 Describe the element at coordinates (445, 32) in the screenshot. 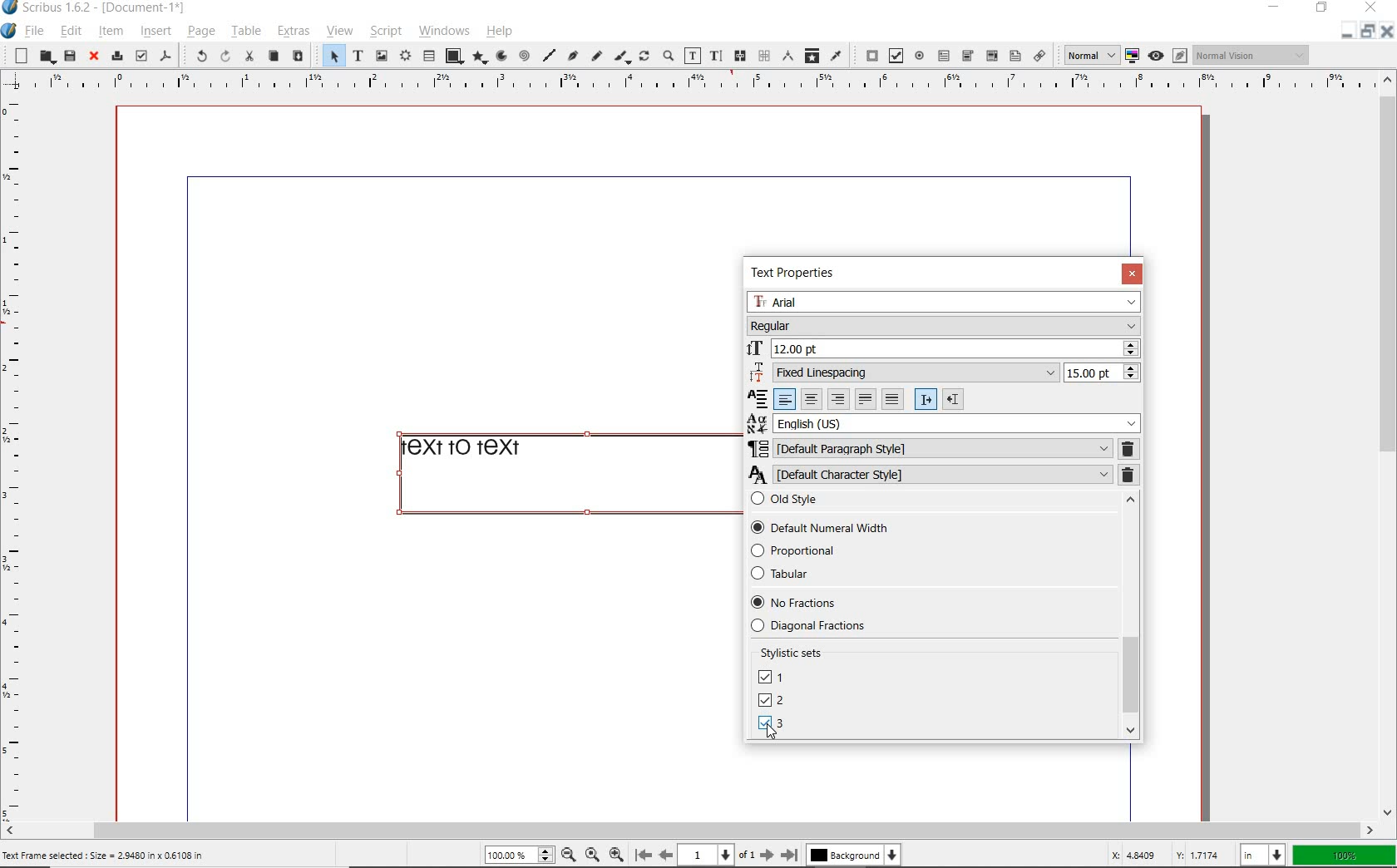

I see `windows` at that location.